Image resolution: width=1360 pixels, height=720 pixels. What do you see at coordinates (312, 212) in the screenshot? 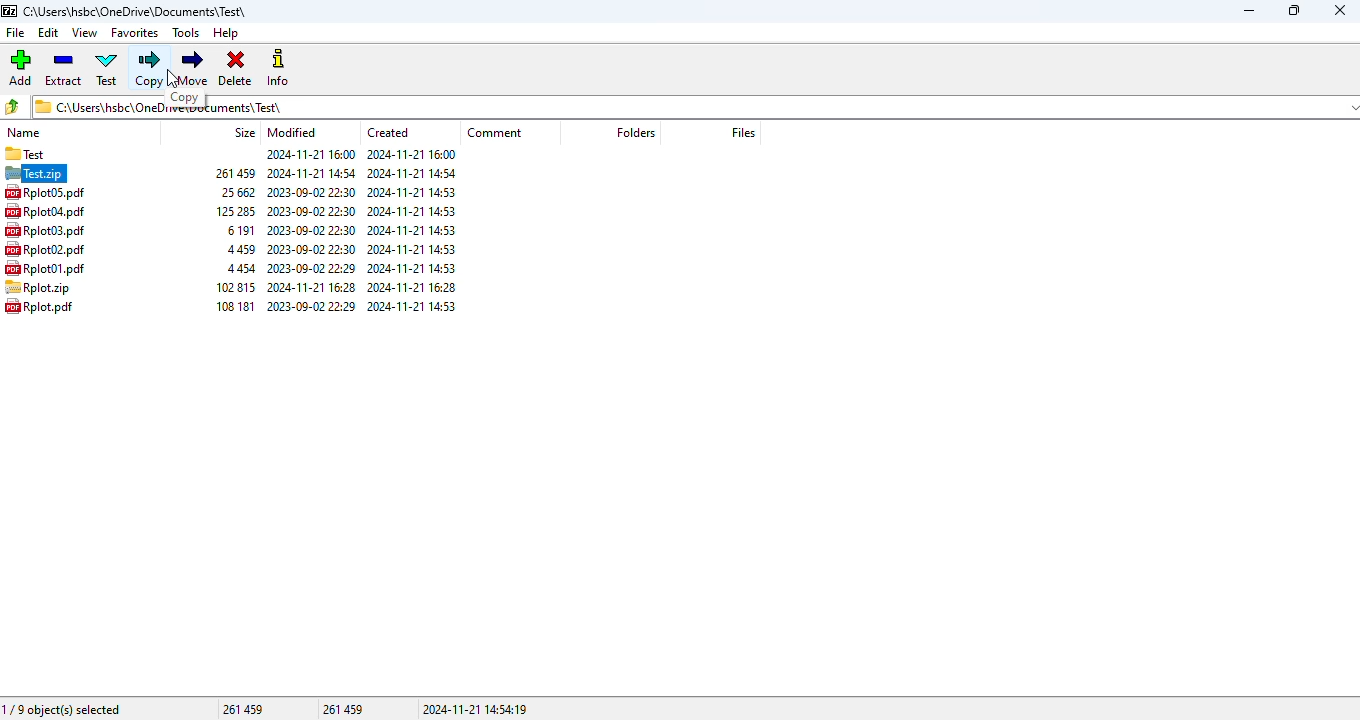
I see `modified date & time` at bounding box center [312, 212].